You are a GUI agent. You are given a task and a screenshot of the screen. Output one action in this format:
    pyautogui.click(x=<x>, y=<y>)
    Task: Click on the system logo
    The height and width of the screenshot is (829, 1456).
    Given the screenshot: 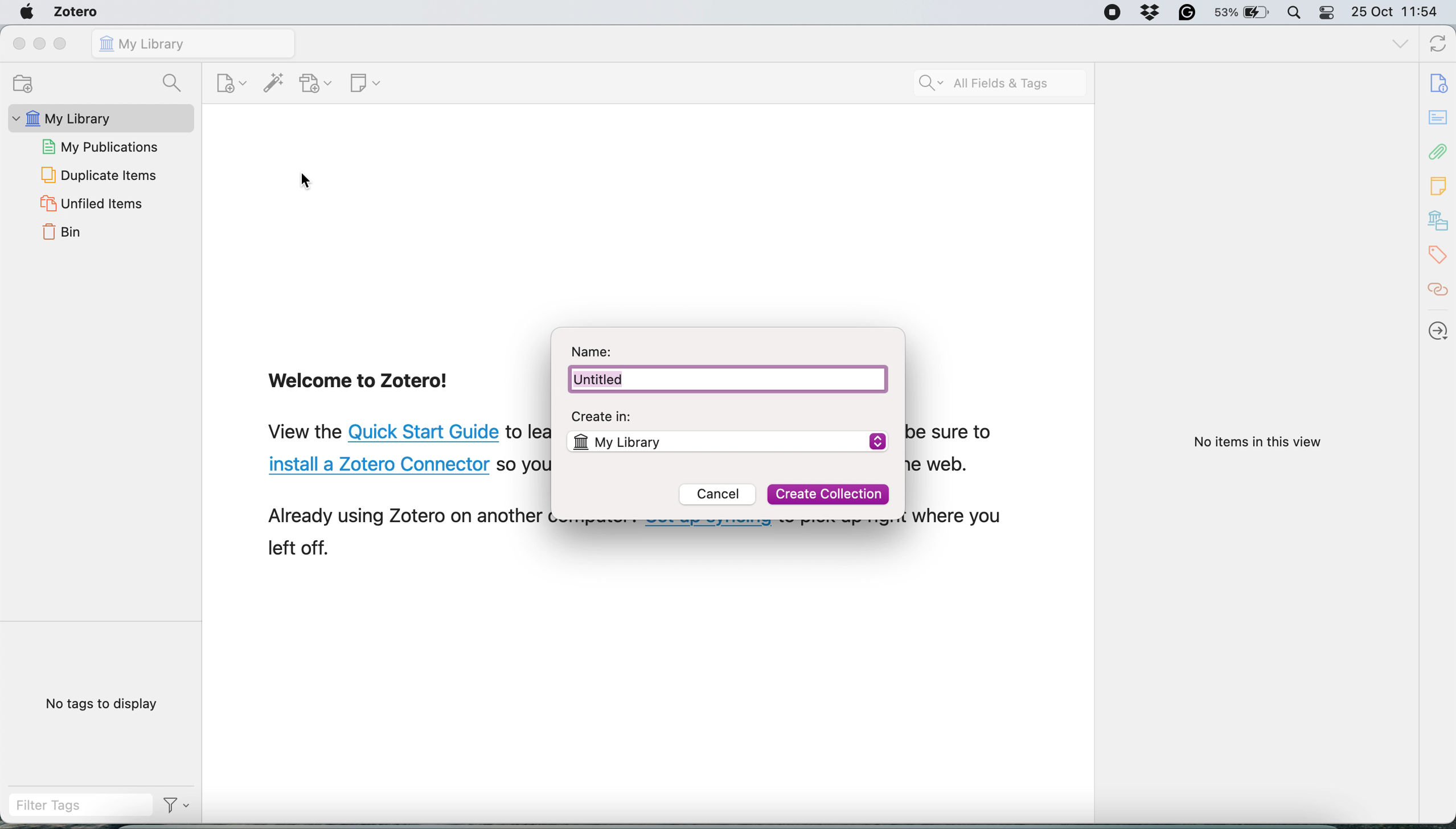 What is the action you would take?
    pyautogui.click(x=25, y=12)
    